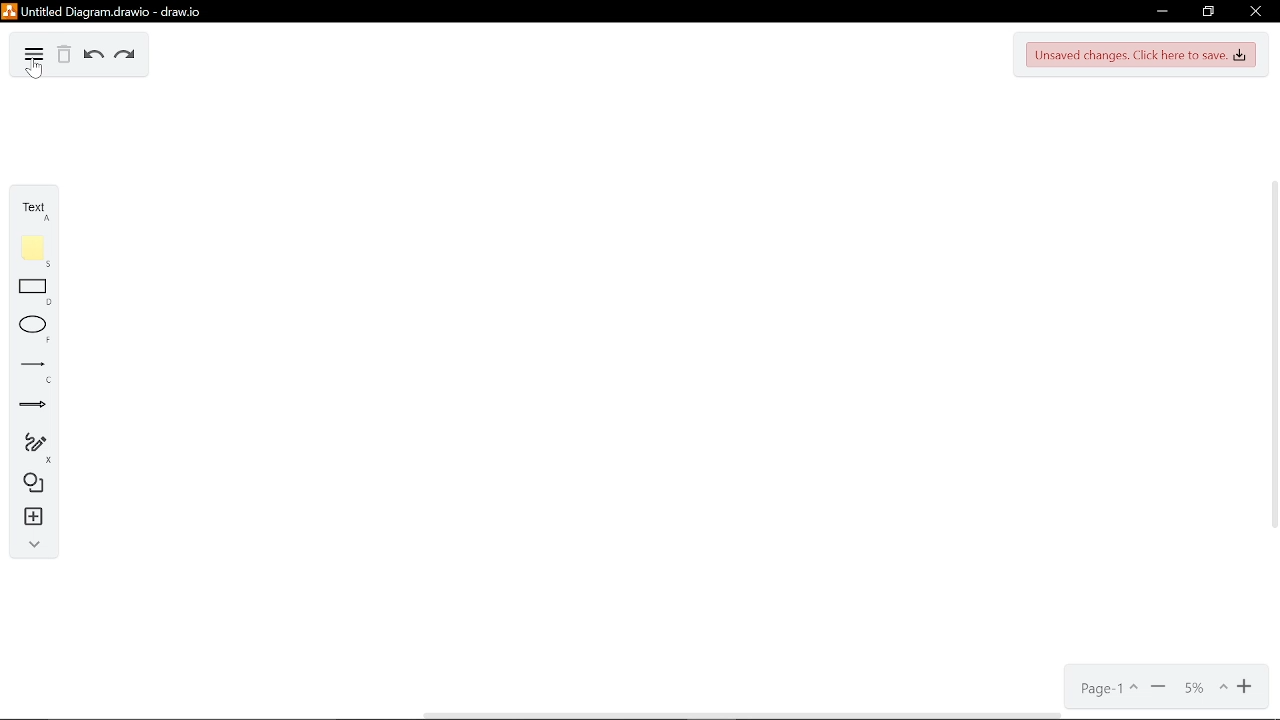  I want to click on cursor, so click(35, 73).